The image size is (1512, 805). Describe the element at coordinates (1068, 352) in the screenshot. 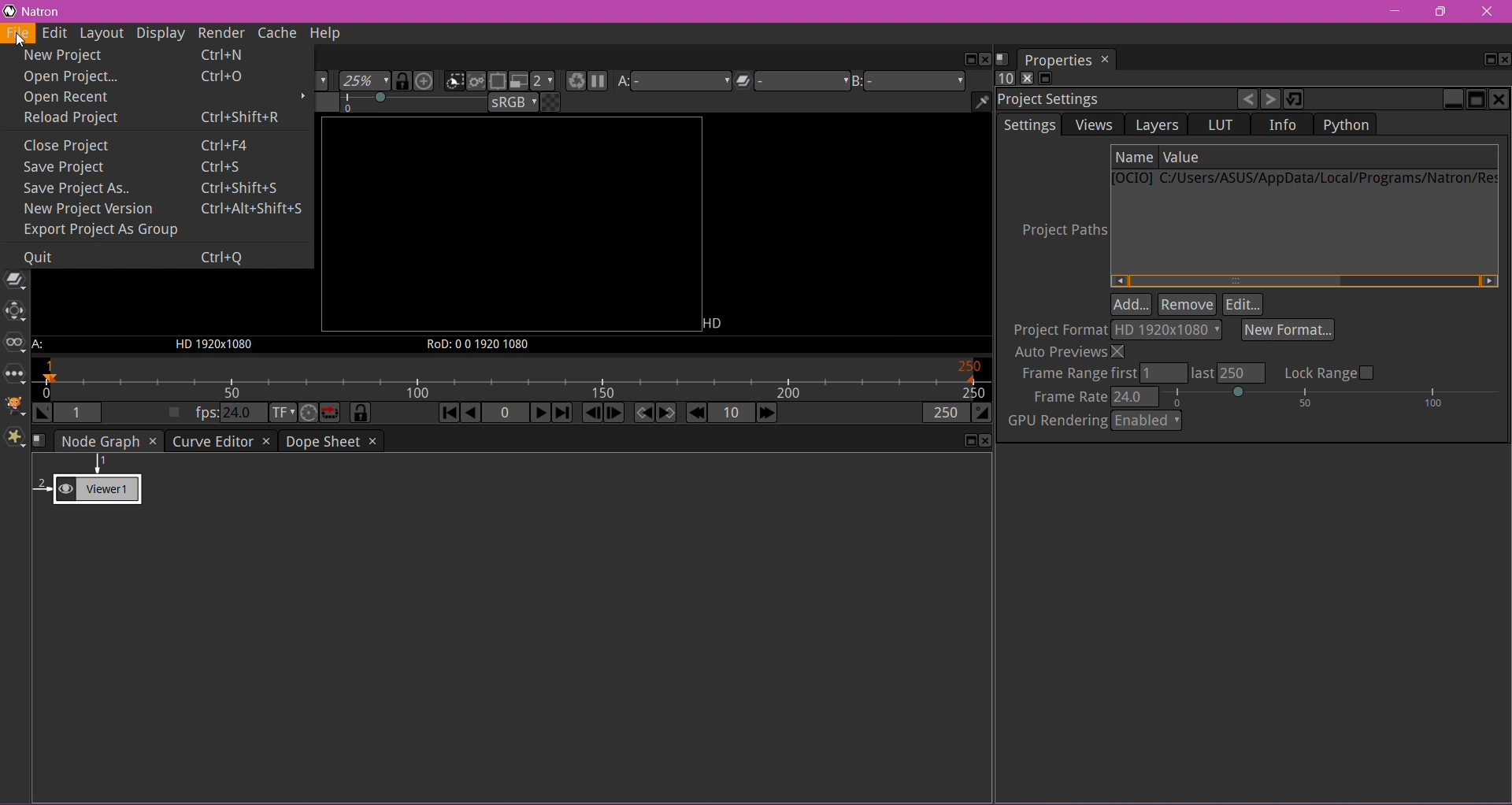

I see `Auto Previews - enable/disable` at that location.